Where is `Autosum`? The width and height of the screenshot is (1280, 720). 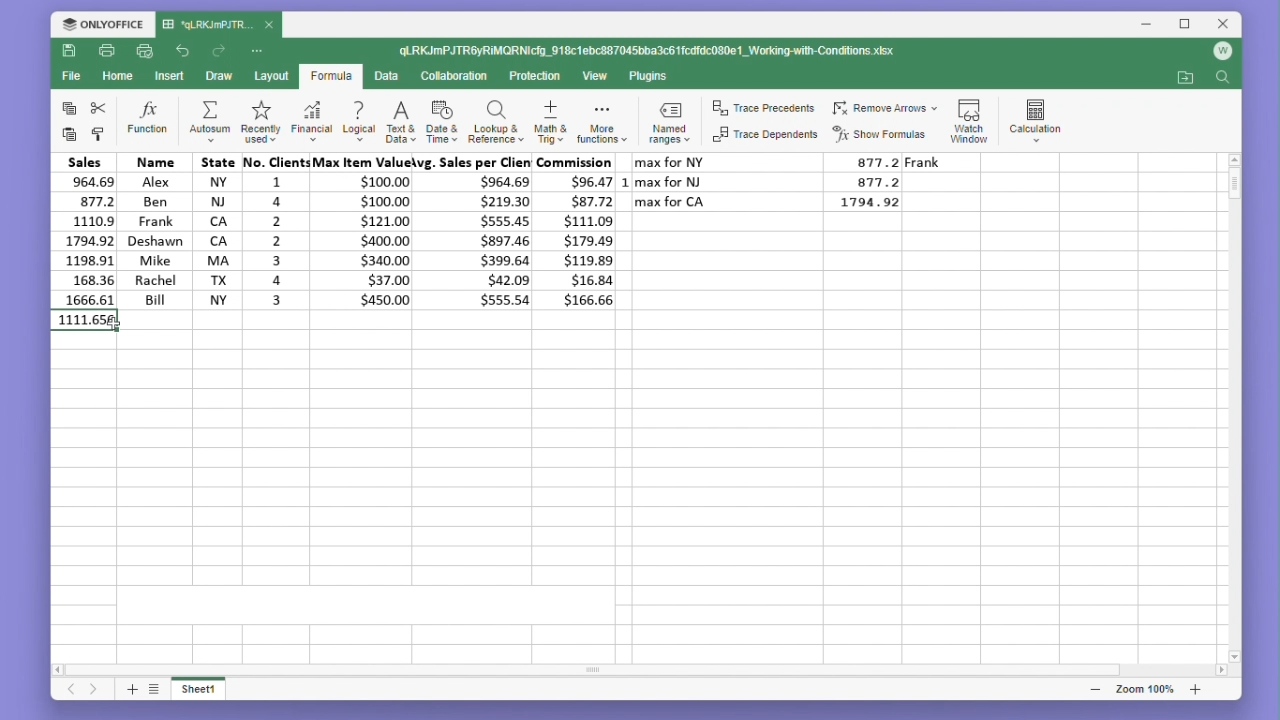 Autosum is located at coordinates (210, 117).